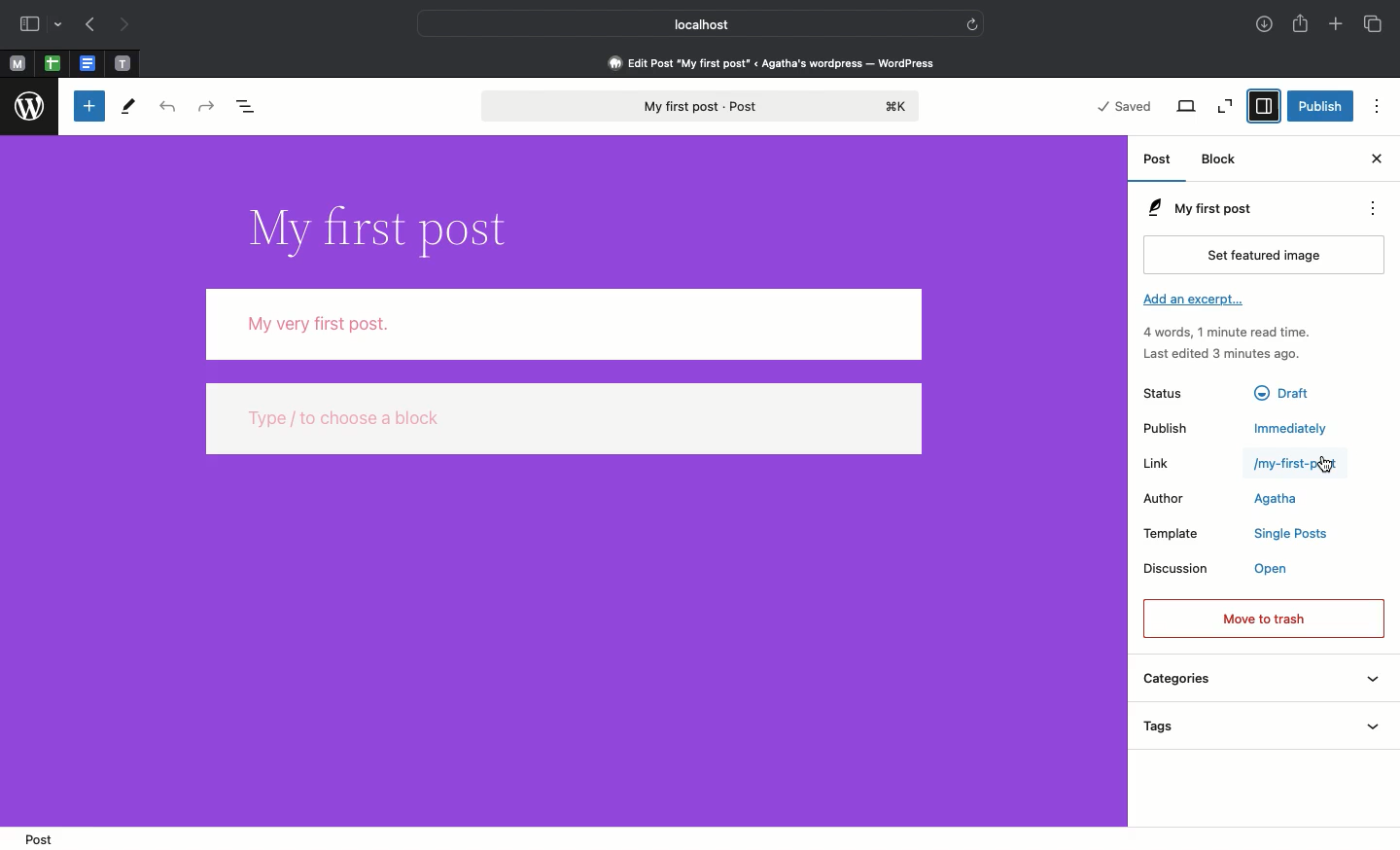 This screenshot has height=850, width=1400. What do you see at coordinates (1337, 25) in the screenshot?
I see `Add new tab` at bounding box center [1337, 25].